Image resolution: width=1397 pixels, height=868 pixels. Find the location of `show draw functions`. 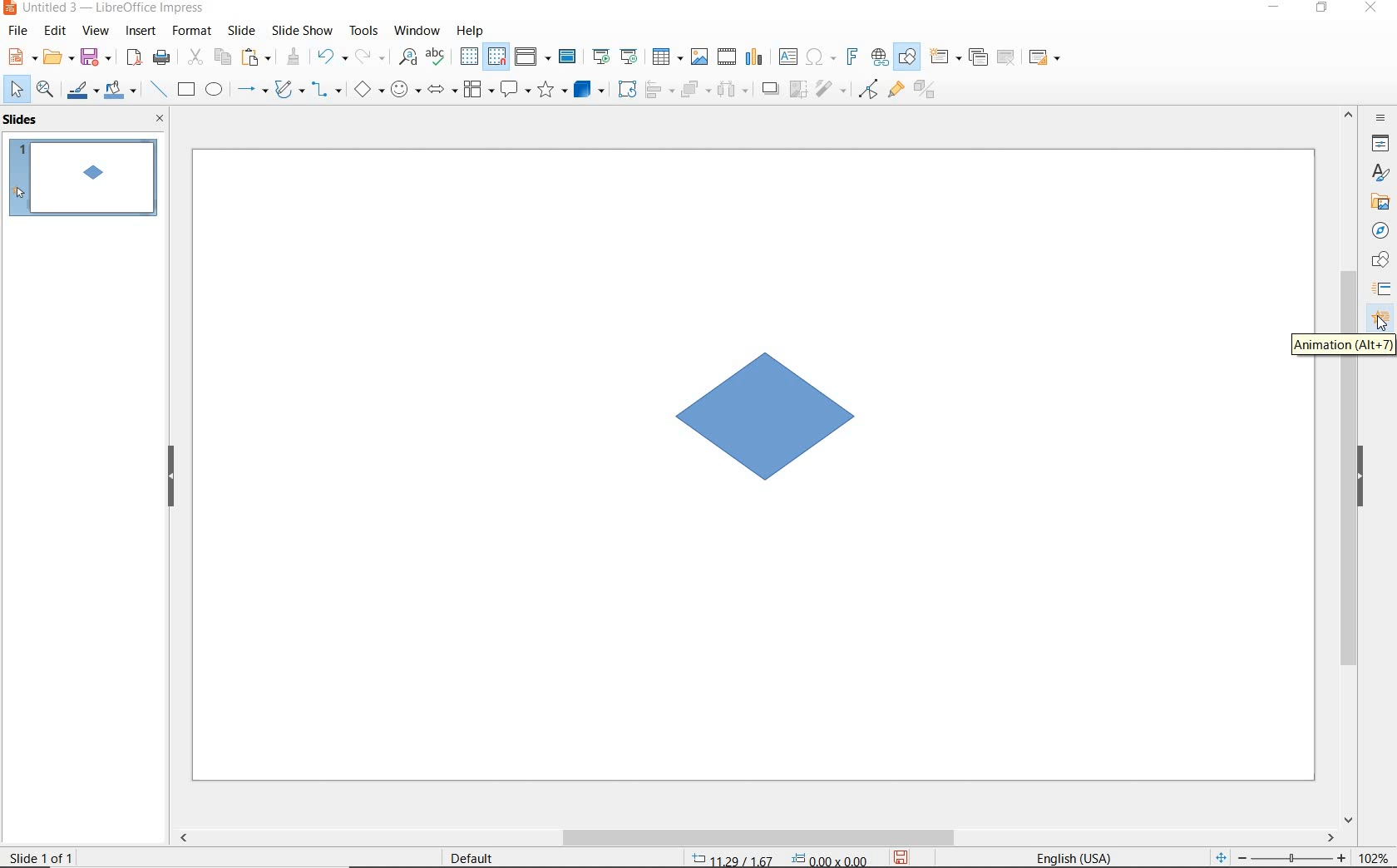

show draw functions is located at coordinates (906, 57).